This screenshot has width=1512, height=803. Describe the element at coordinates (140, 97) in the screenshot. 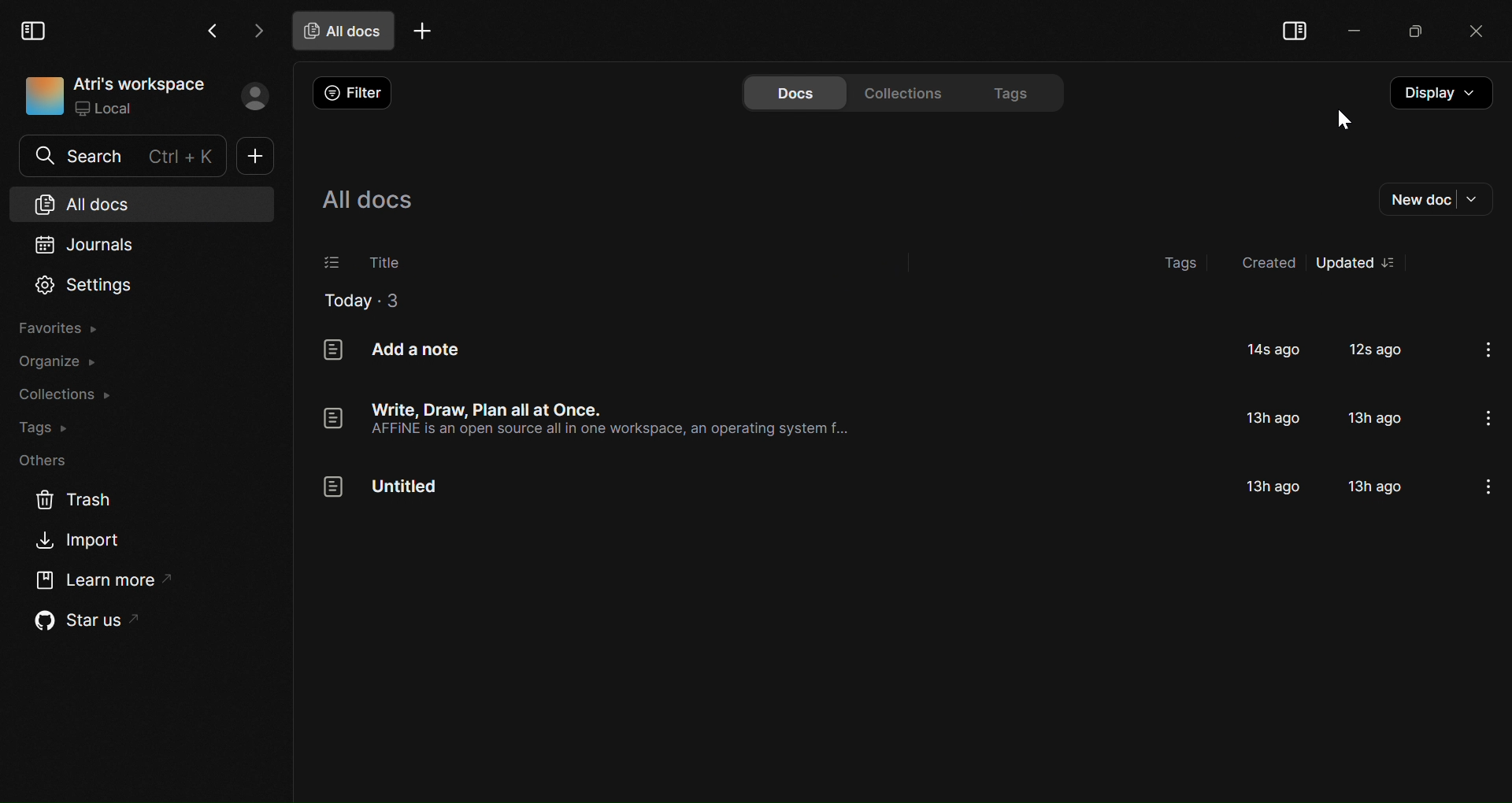

I see `Atri's workspace Local` at that location.